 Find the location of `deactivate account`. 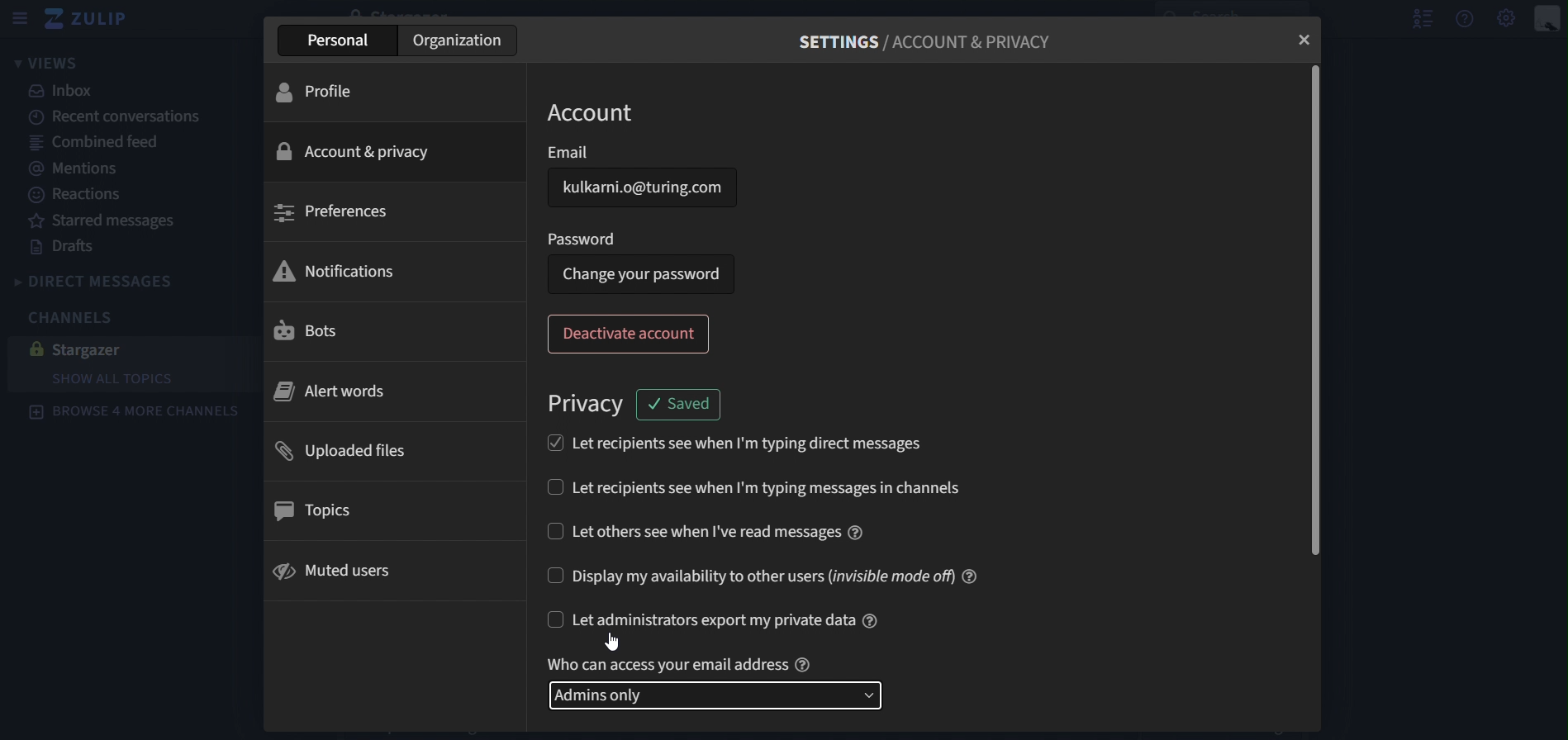

deactivate account is located at coordinates (632, 334).